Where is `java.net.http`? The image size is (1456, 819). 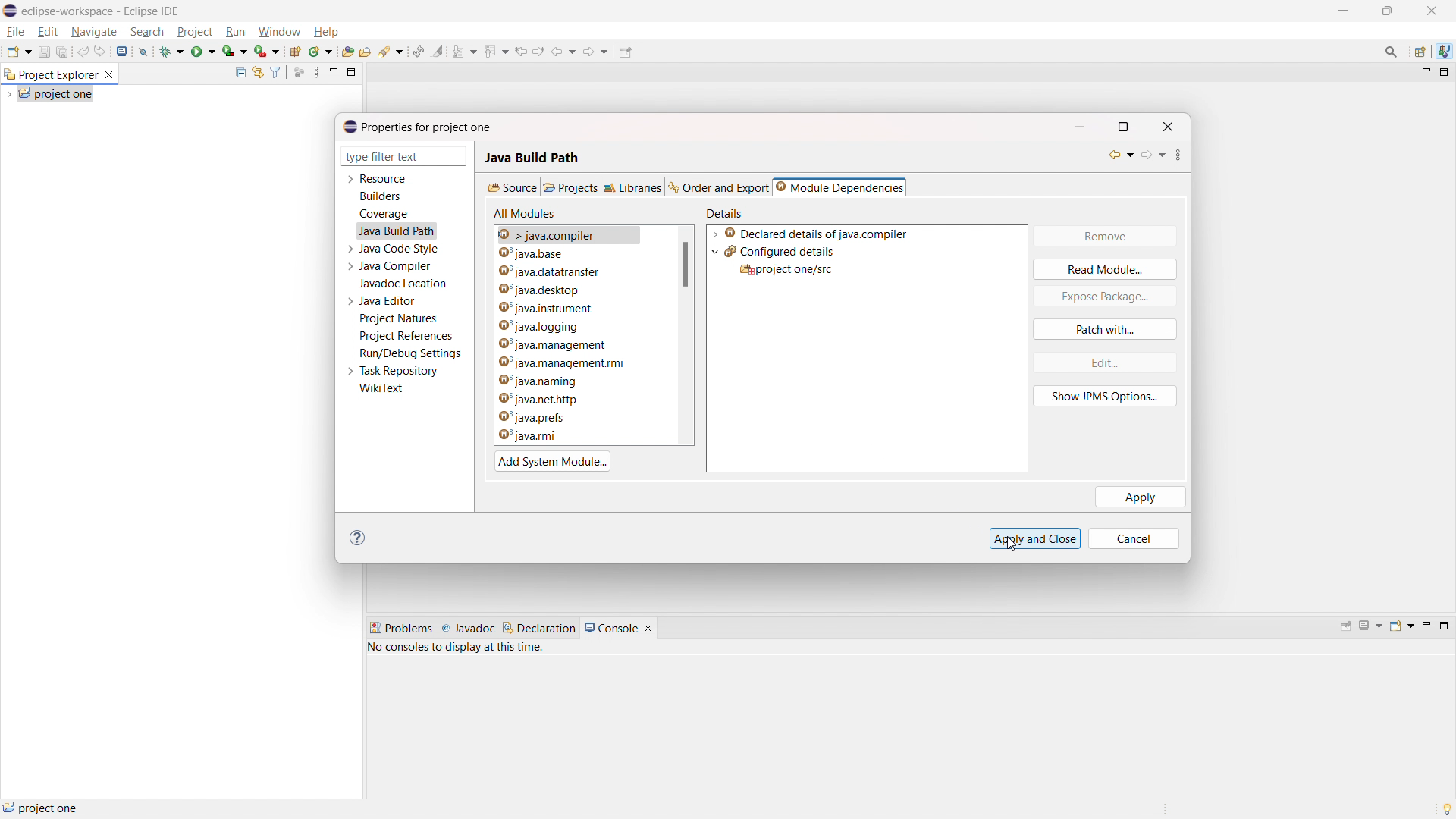
java.net.http is located at coordinates (566, 400).